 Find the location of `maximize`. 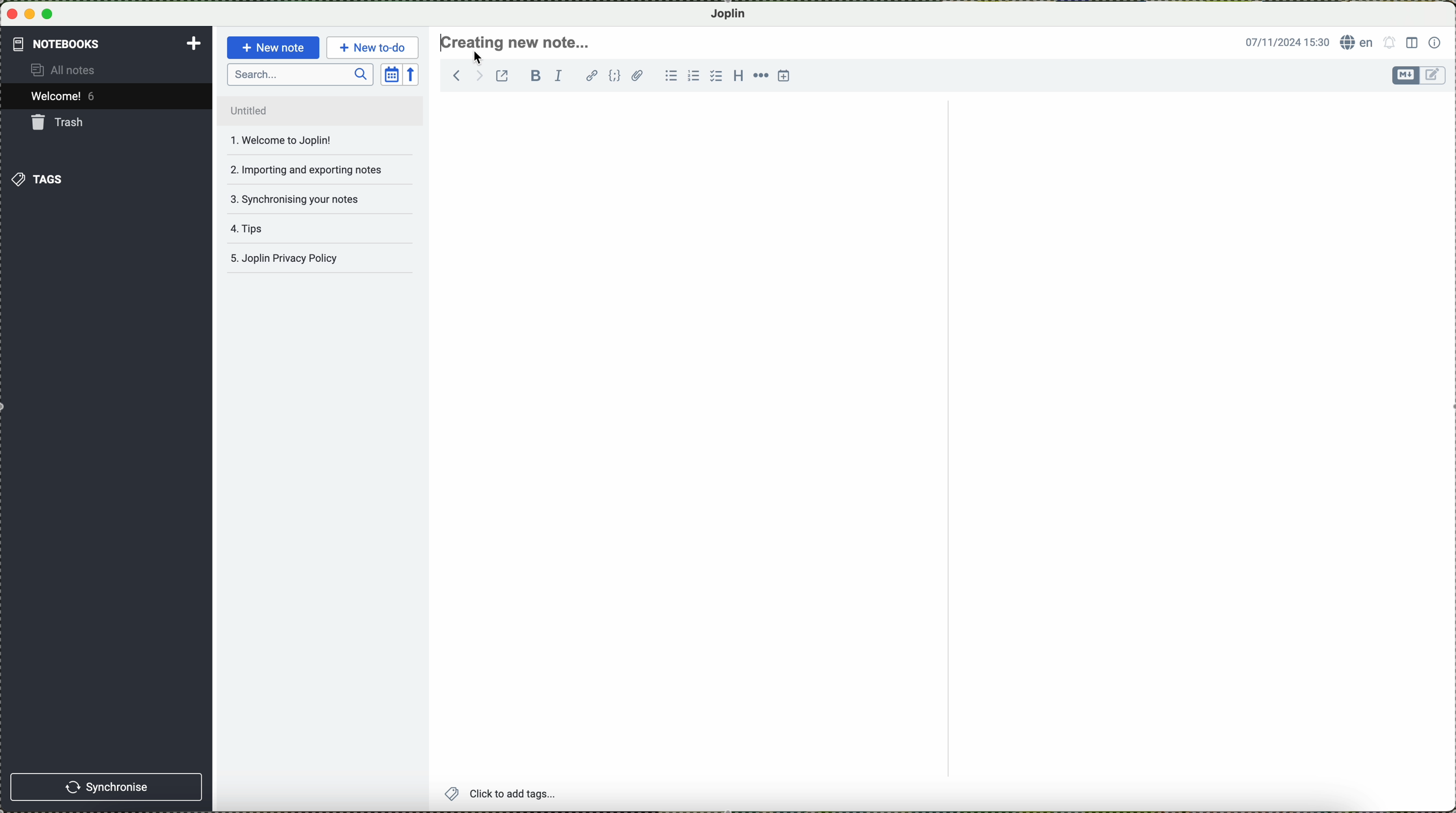

maximize is located at coordinates (50, 14).